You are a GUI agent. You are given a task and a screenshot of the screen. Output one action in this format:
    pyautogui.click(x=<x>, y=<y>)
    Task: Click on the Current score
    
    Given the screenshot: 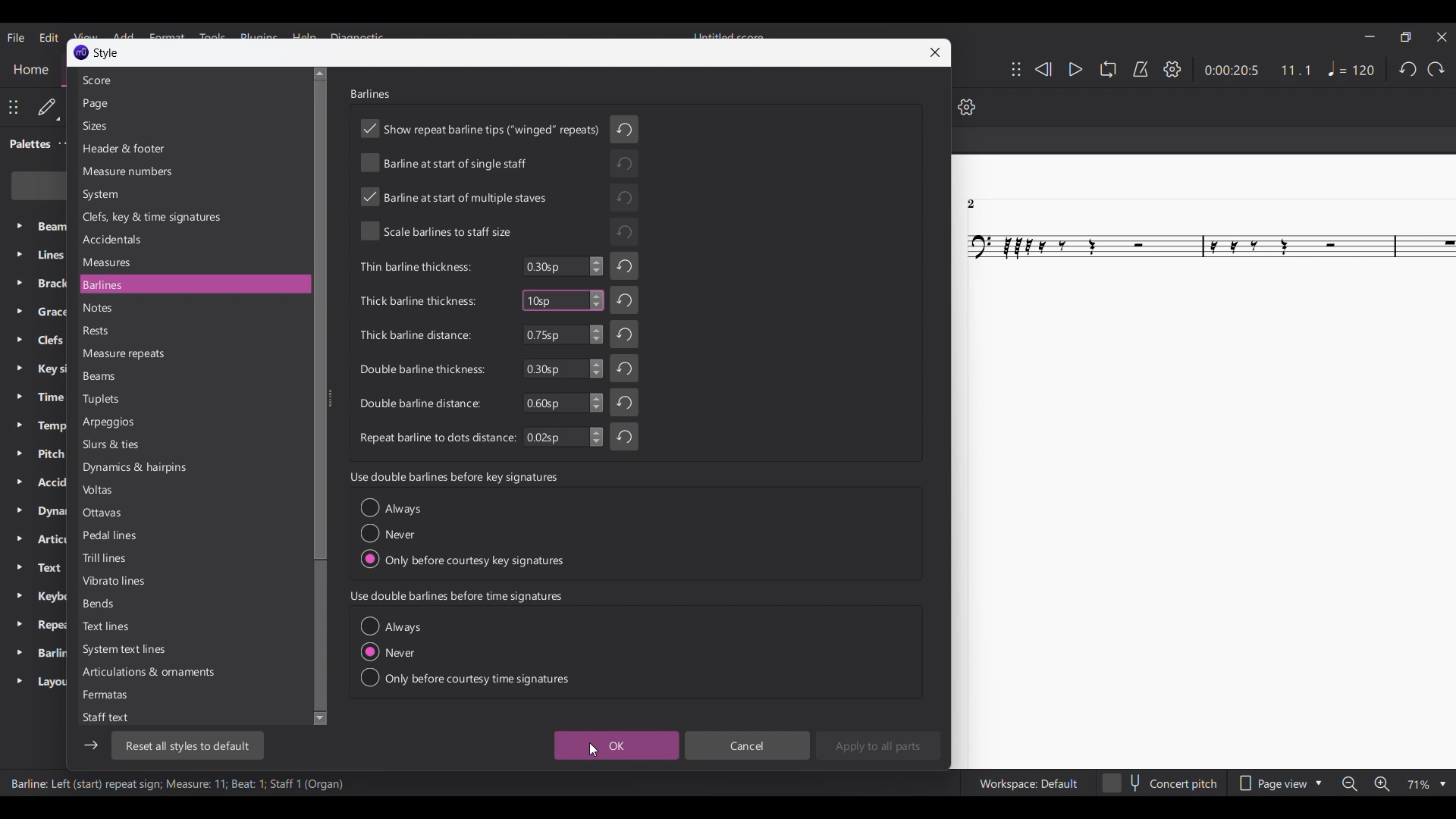 What is the action you would take?
    pyautogui.click(x=1203, y=462)
    